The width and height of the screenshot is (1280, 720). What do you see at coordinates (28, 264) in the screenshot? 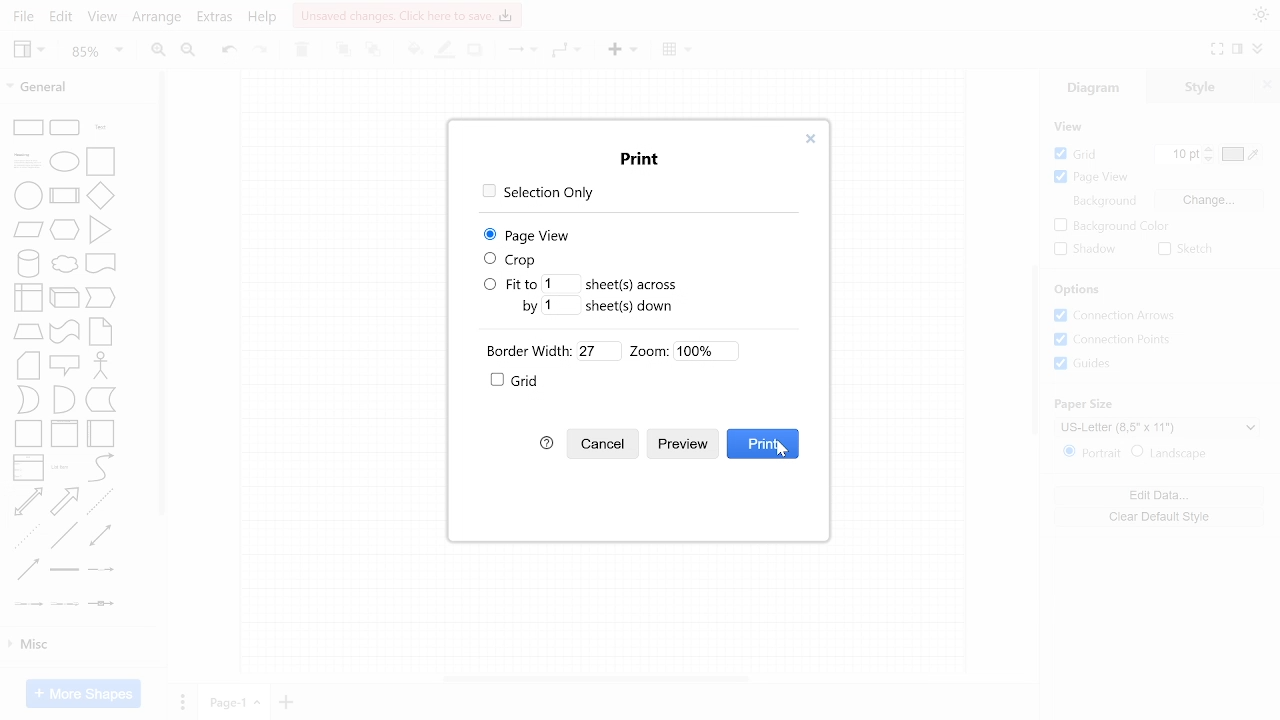
I see `Cylinder` at bounding box center [28, 264].